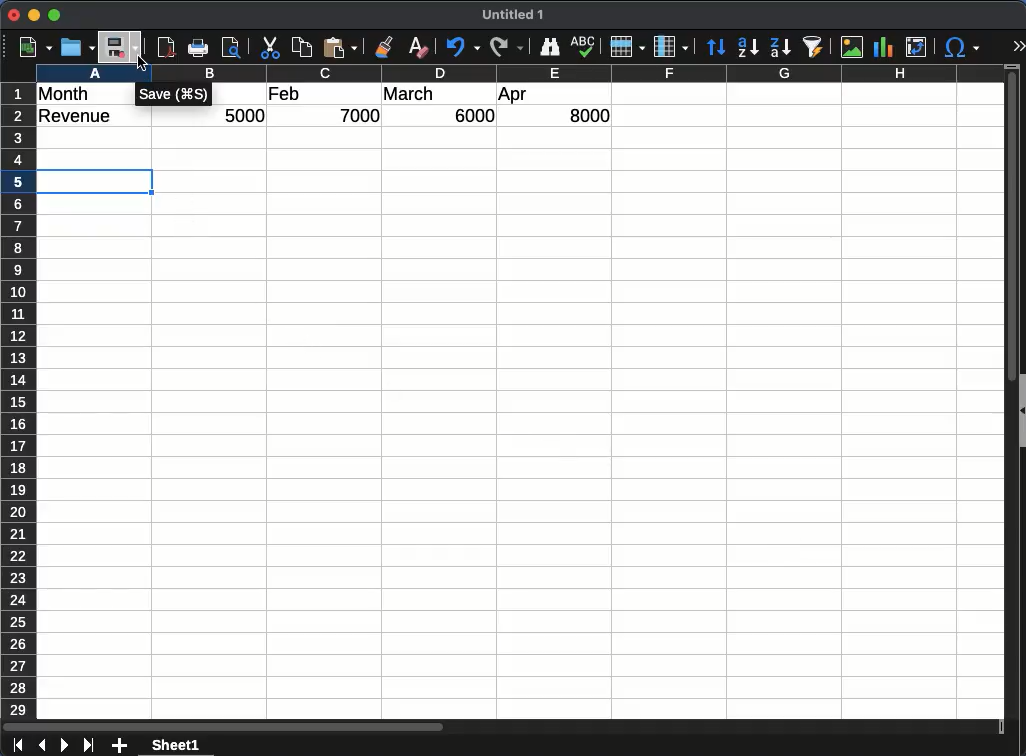  Describe the element at coordinates (141, 65) in the screenshot. I see `Cursor` at that location.